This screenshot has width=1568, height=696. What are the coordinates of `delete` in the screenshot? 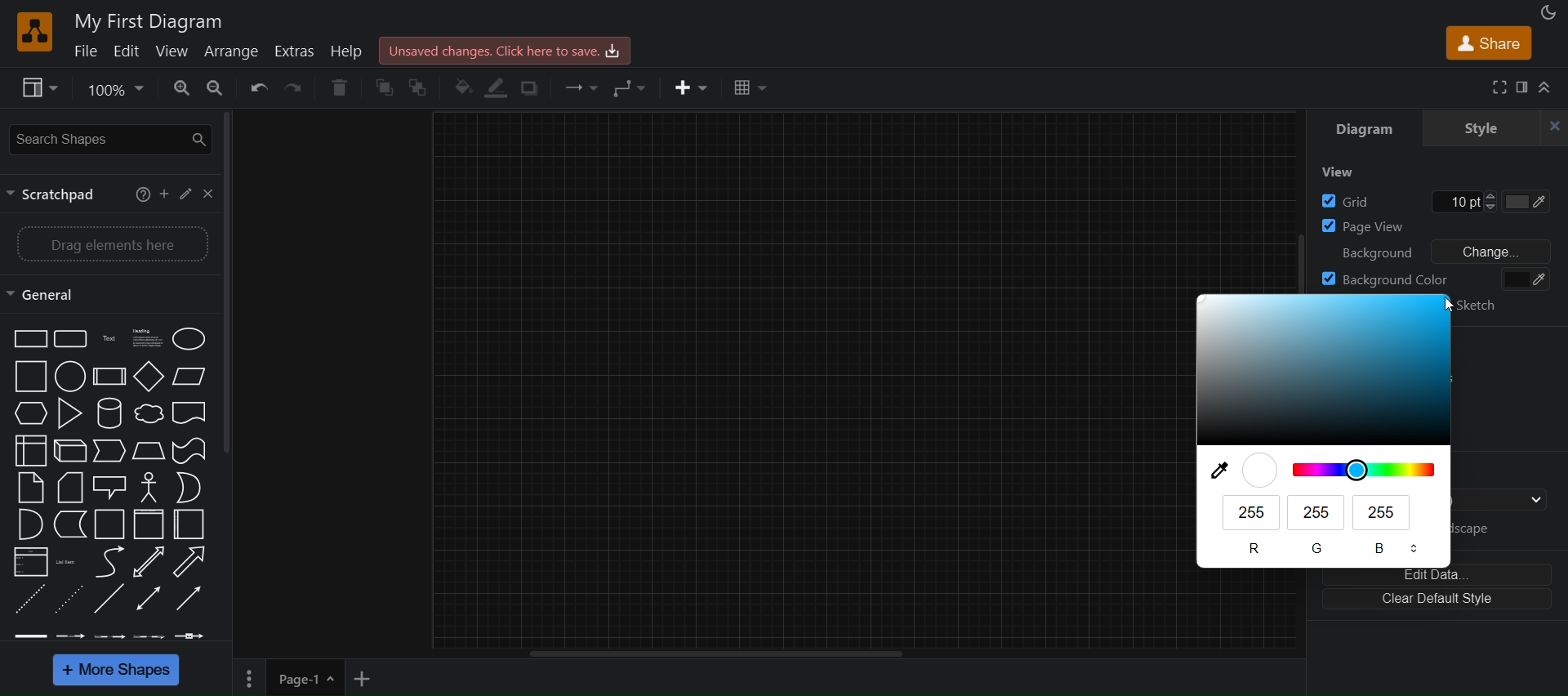 It's located at (339, 89).